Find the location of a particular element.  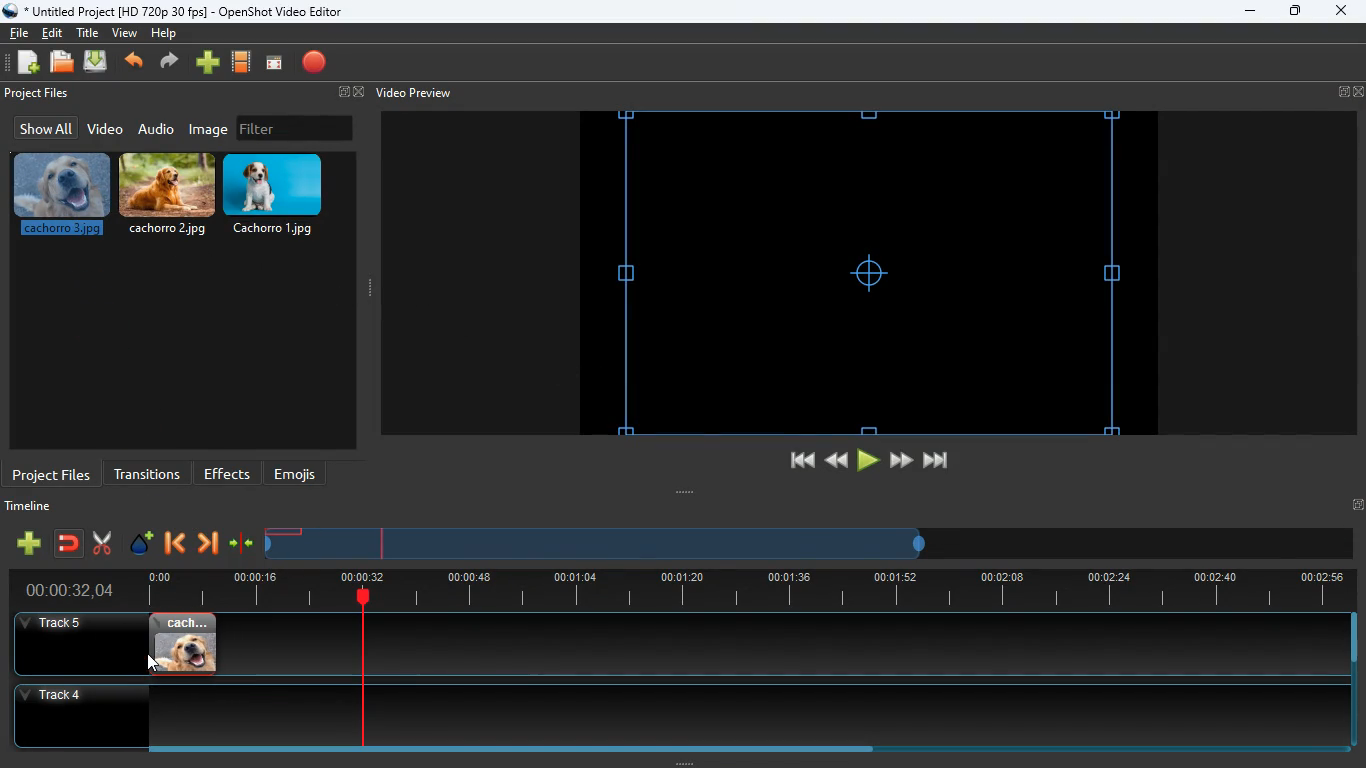

forward is located at coordinates (901, 461).